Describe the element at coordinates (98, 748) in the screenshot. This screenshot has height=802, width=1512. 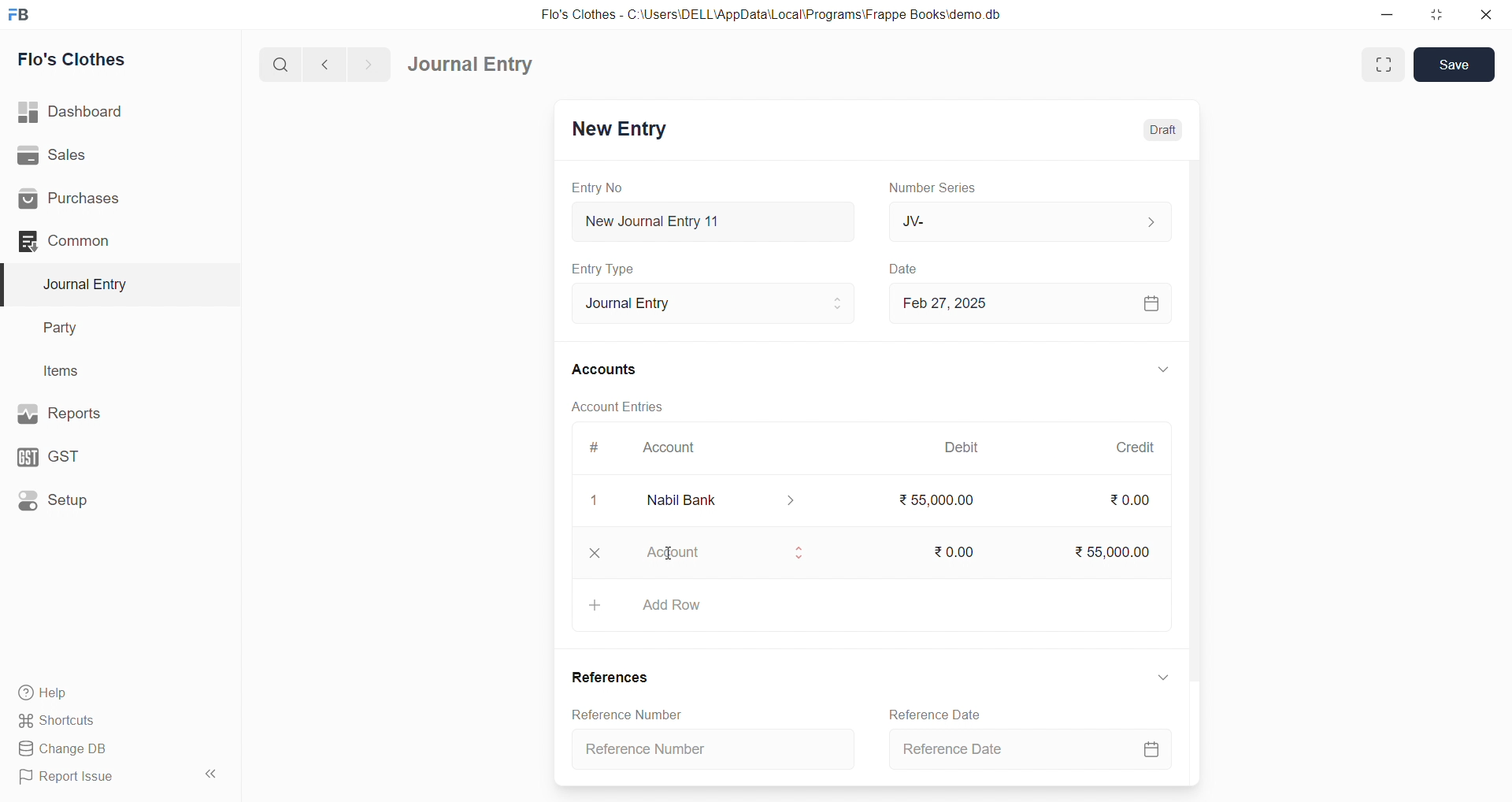
I see `Change DB` at that location.